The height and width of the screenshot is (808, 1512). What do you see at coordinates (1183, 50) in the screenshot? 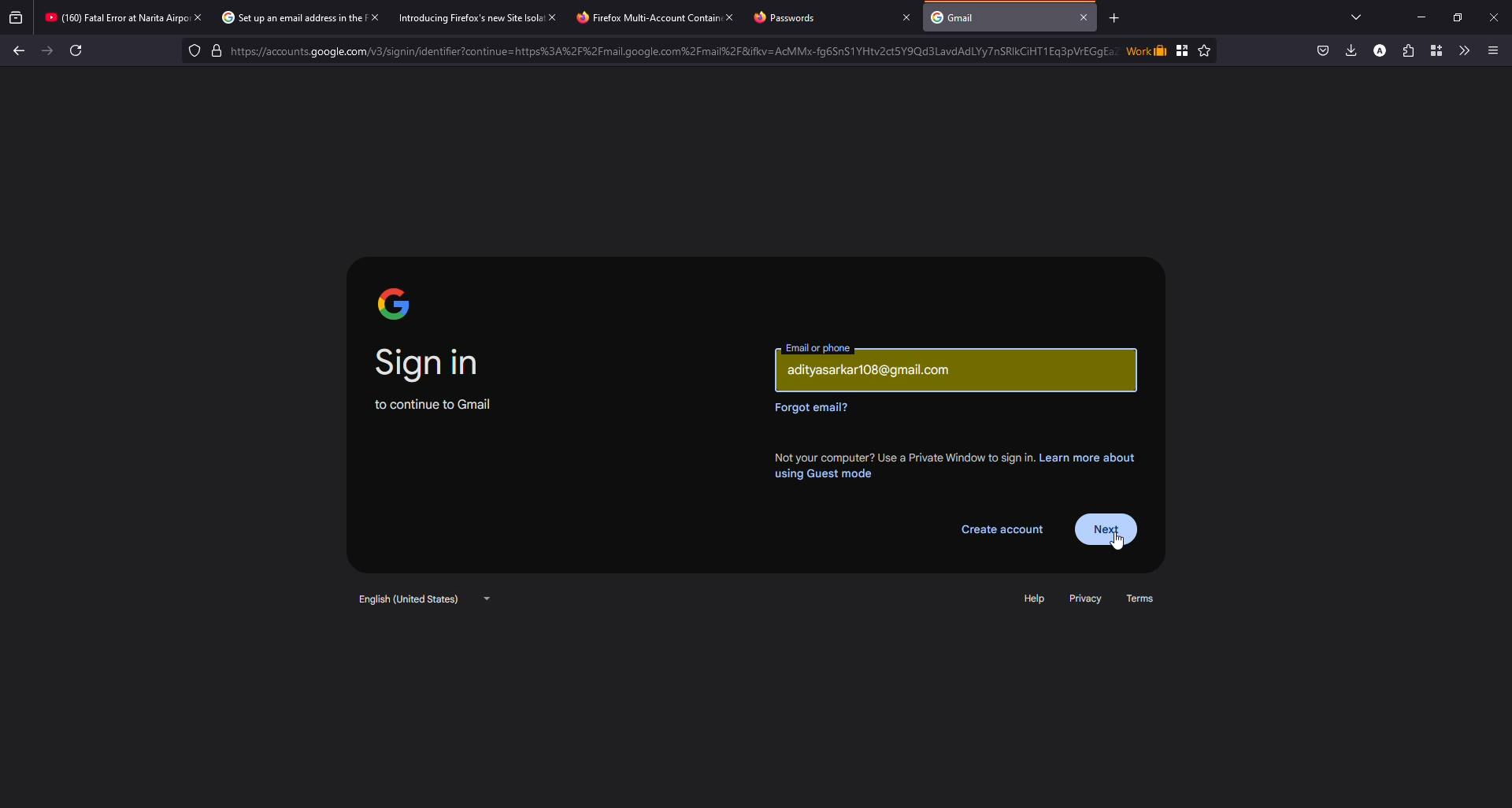
I see `Bookmark` at bounding box center [1183, 50].